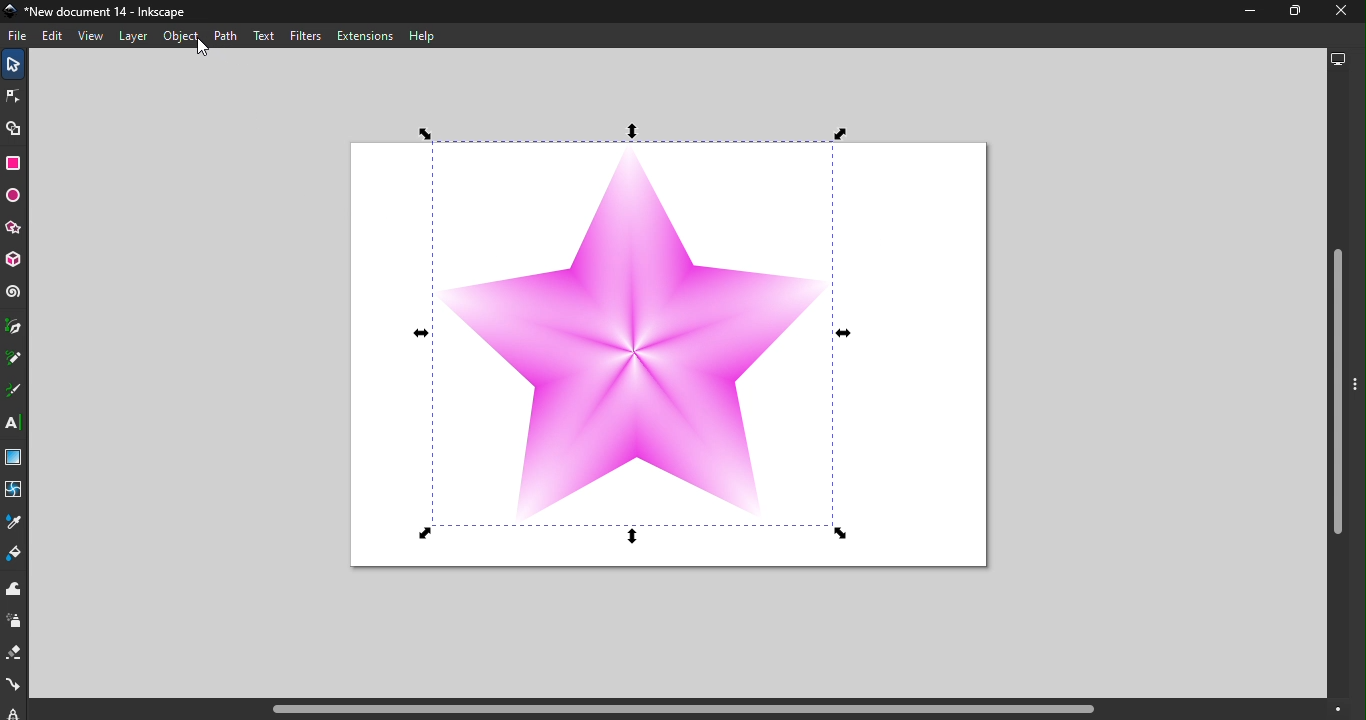 The height and width of the screenshot is (720, 1366). What do you see at coordinates (179, 36) in the screenshot?
I see `Object` at bounding box center [179, 36].